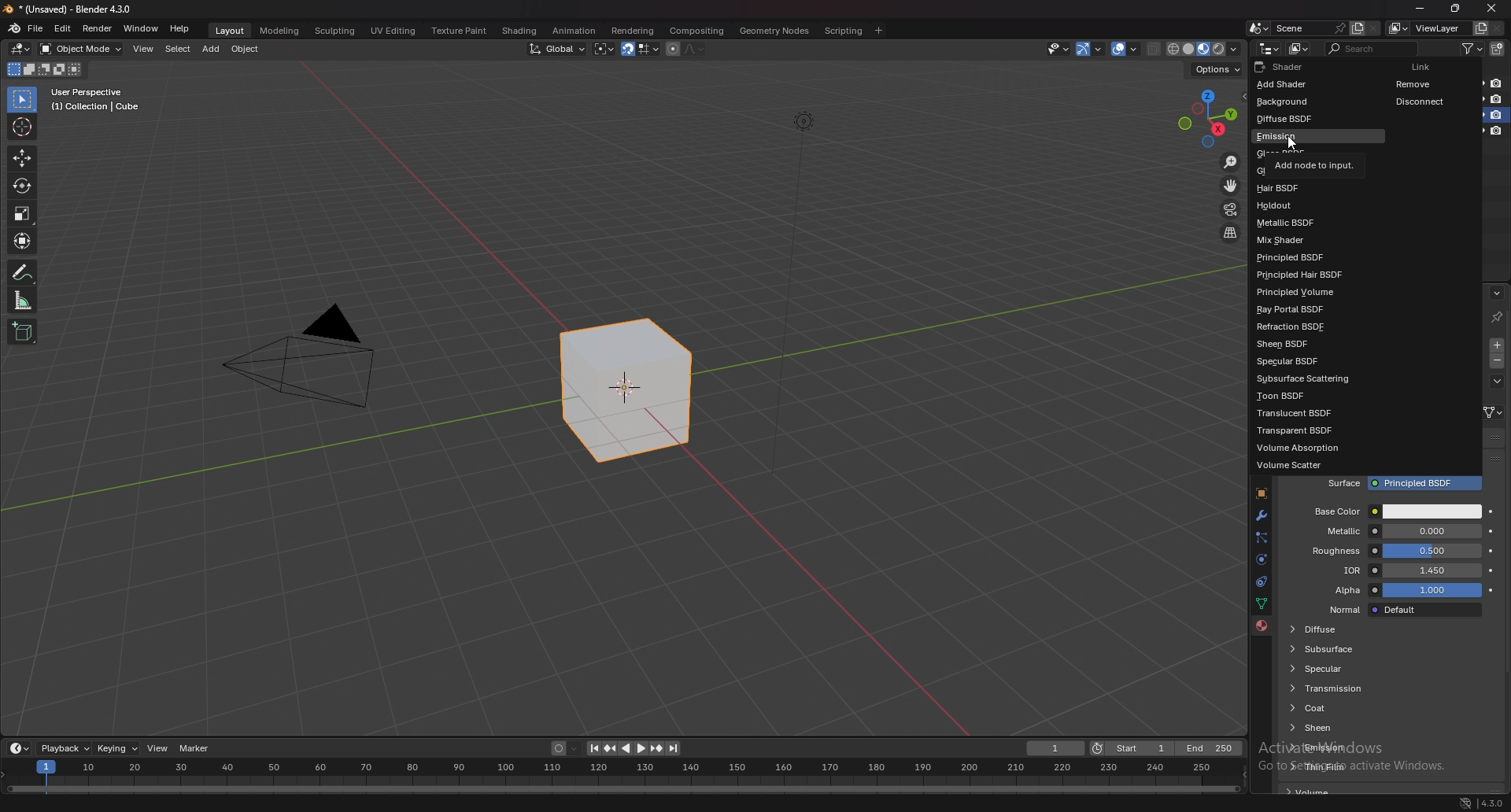  Describe the element at coordinates (23, 272) in the screenshot. I see `annotate` at that location.